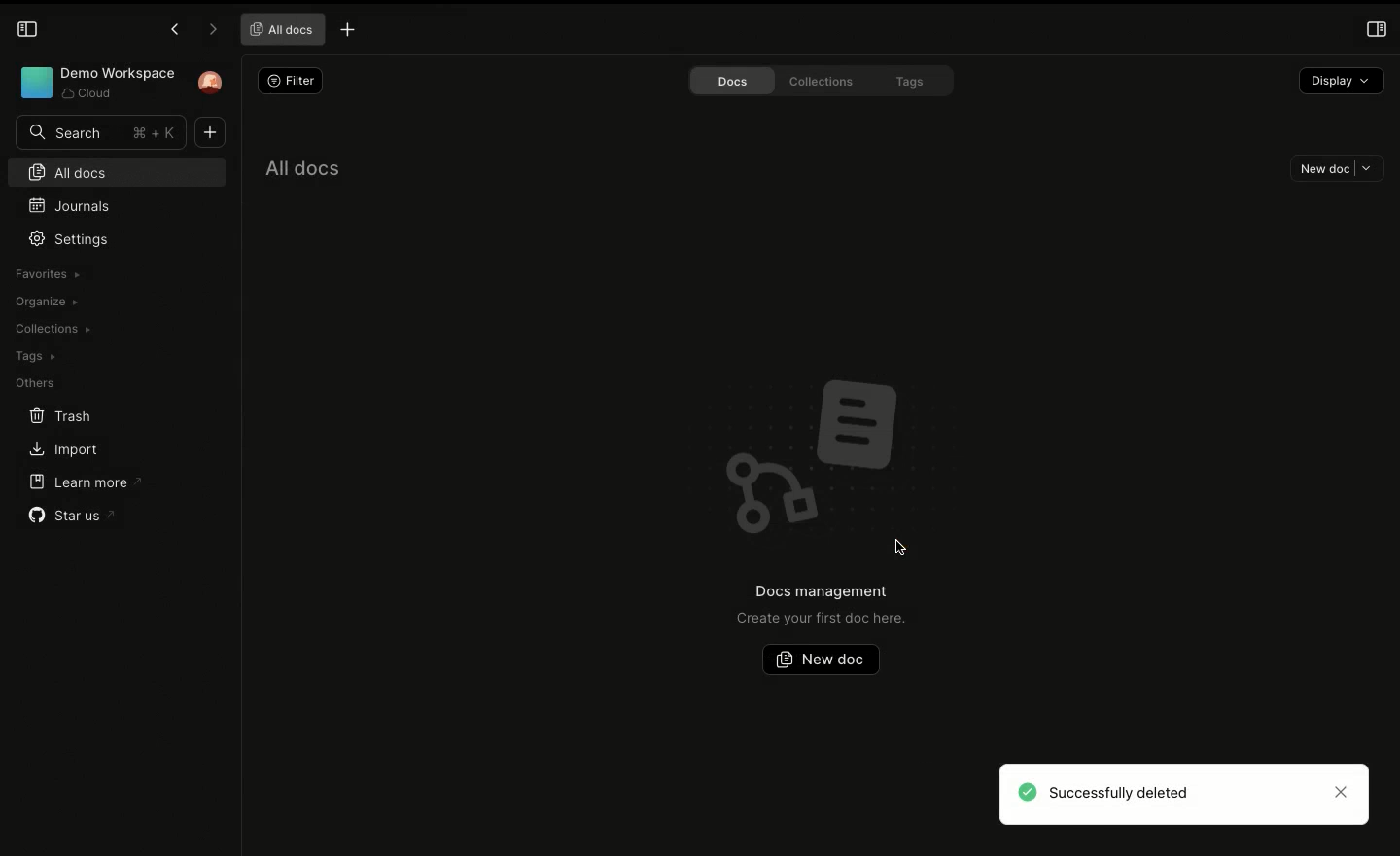 This screenshot has height=856, width=1400. Describe the element at coordinates (115, 170) in the screenshot. I see `All docs` at that location.